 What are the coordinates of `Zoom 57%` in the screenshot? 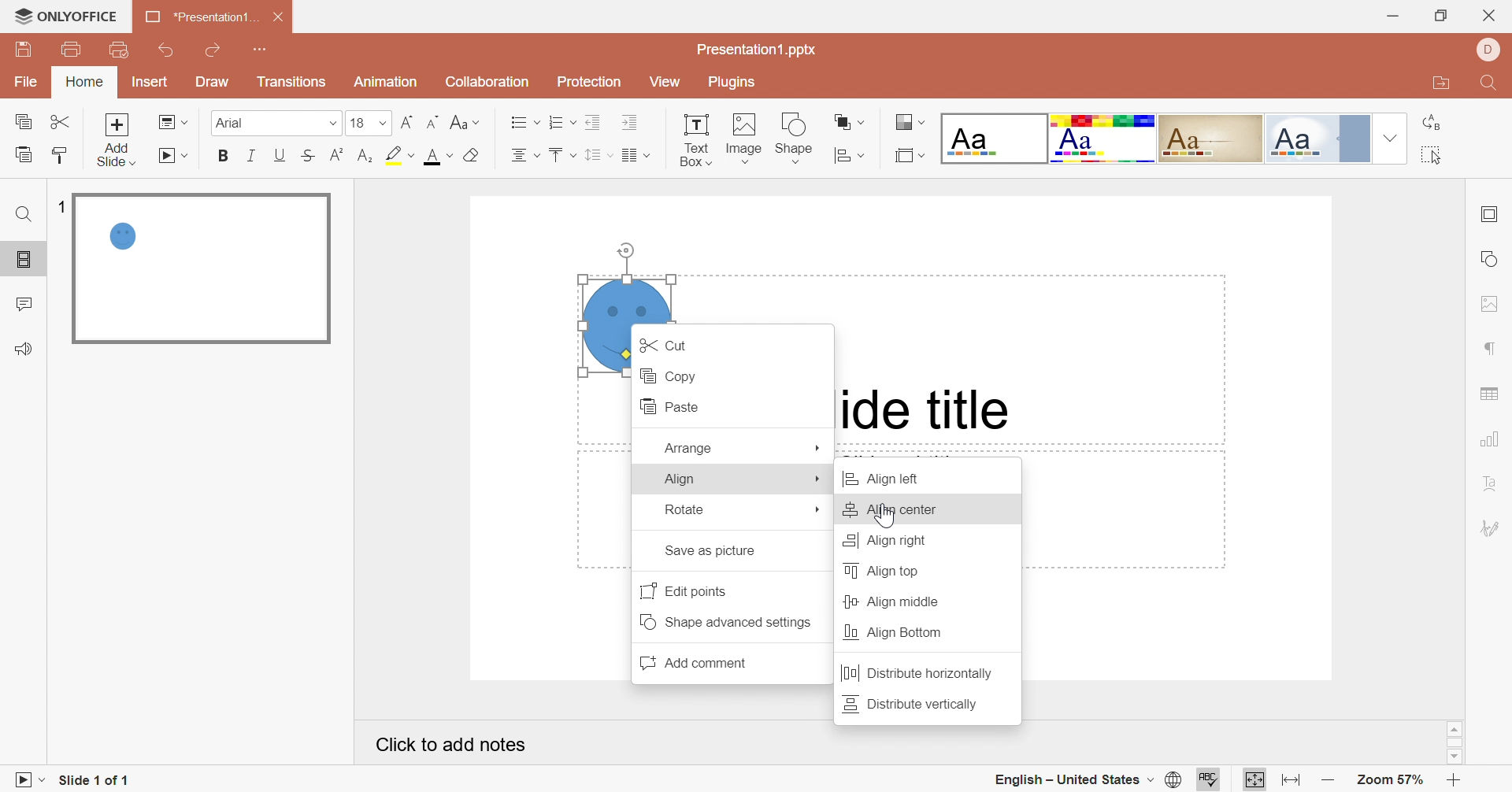 It's located at (1388, 779).